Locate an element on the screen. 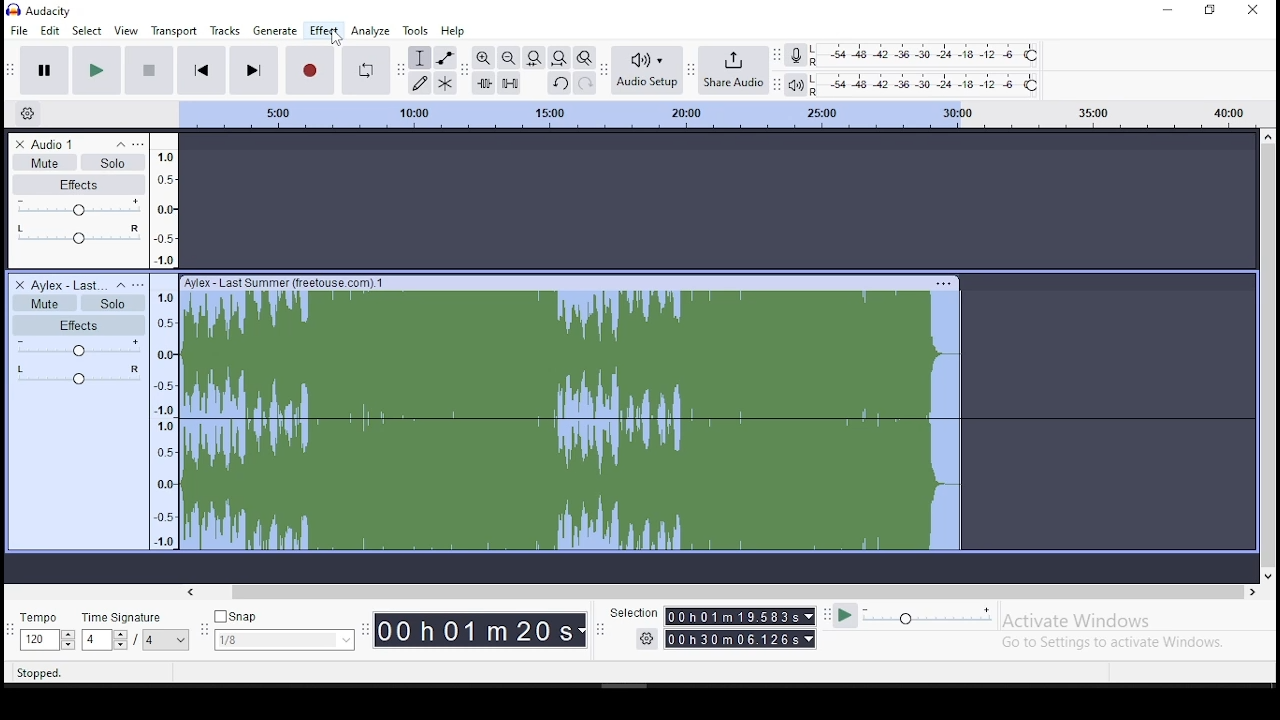  playback meter is located at coordinates (795, 85).